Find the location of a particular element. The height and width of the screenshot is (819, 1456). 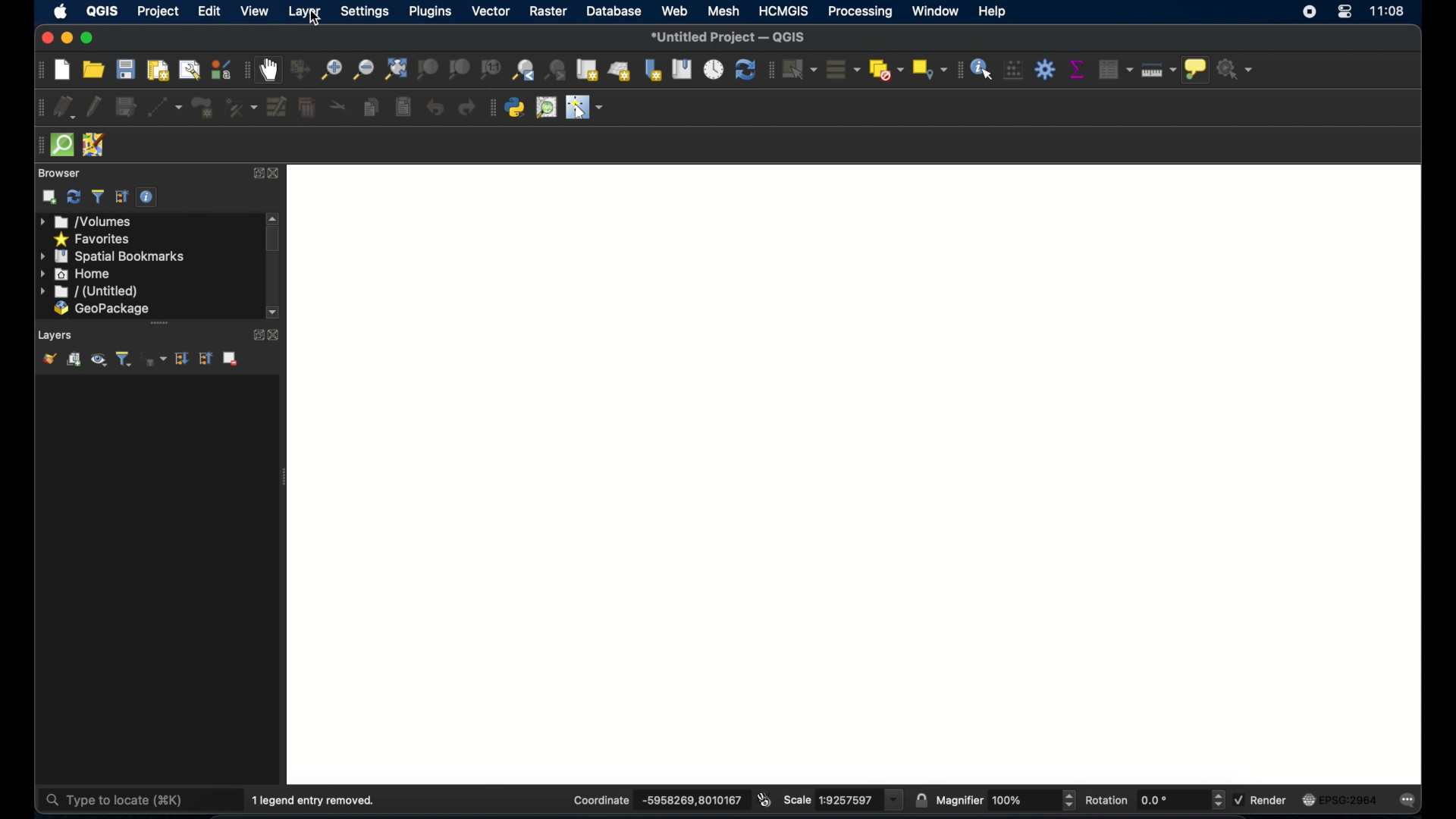

raster is located at coordinates (548, 12).